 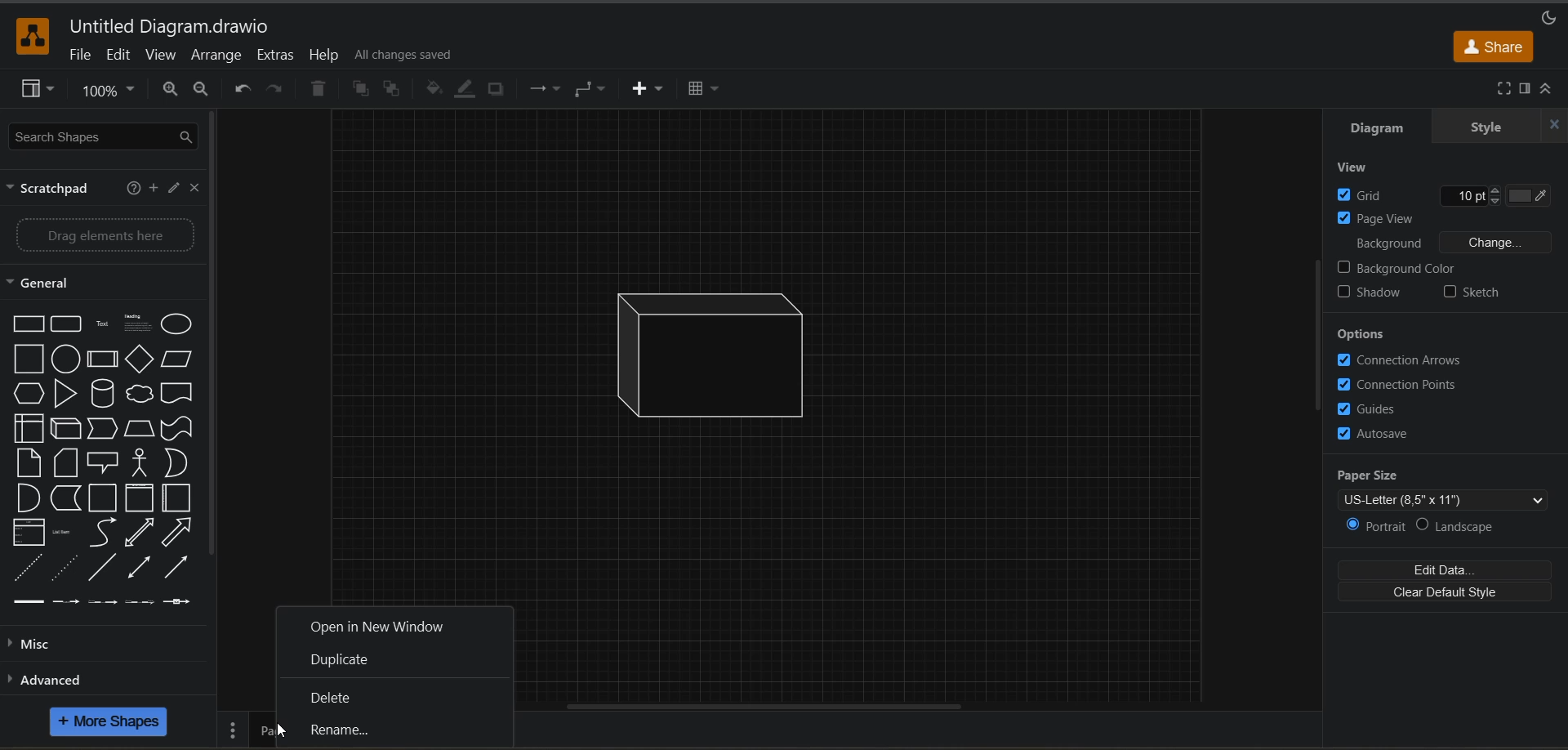 I want to click on edit data, so click(x=1449, y=569).